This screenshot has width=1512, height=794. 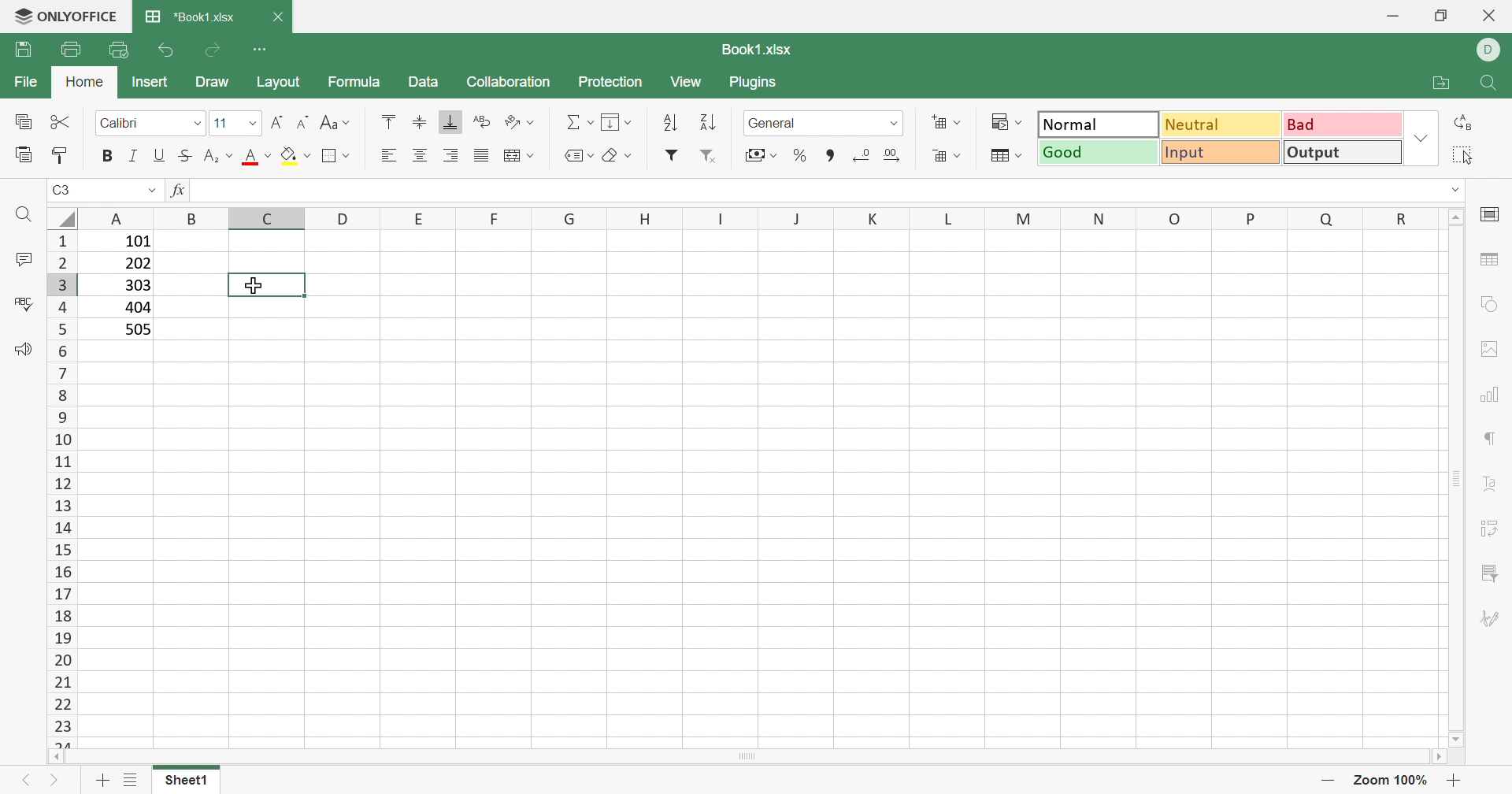 I want to click on Comma style, so click(x=828, y=157).